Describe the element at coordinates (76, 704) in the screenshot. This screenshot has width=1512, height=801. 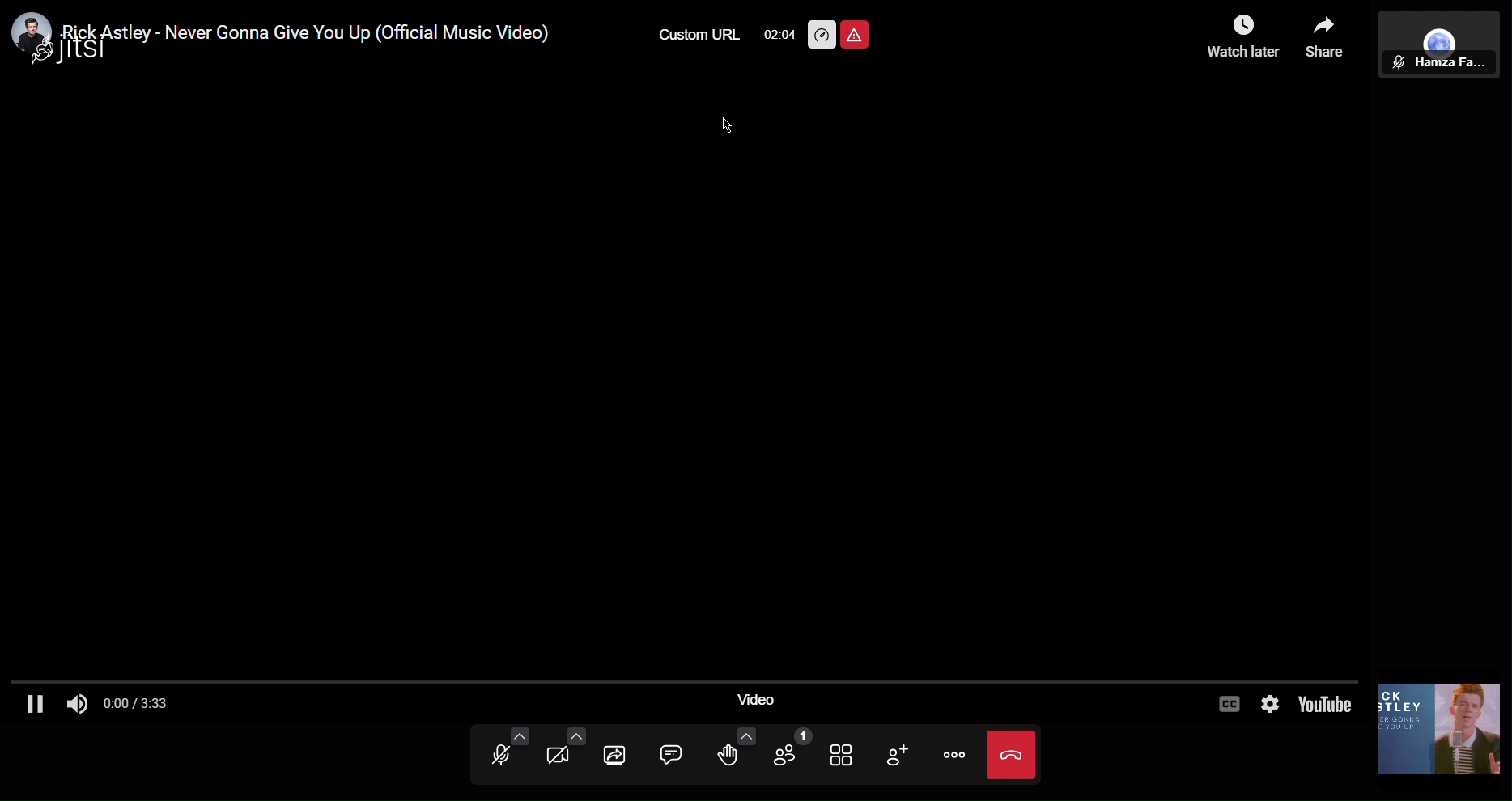
I see `Audio` at that location.